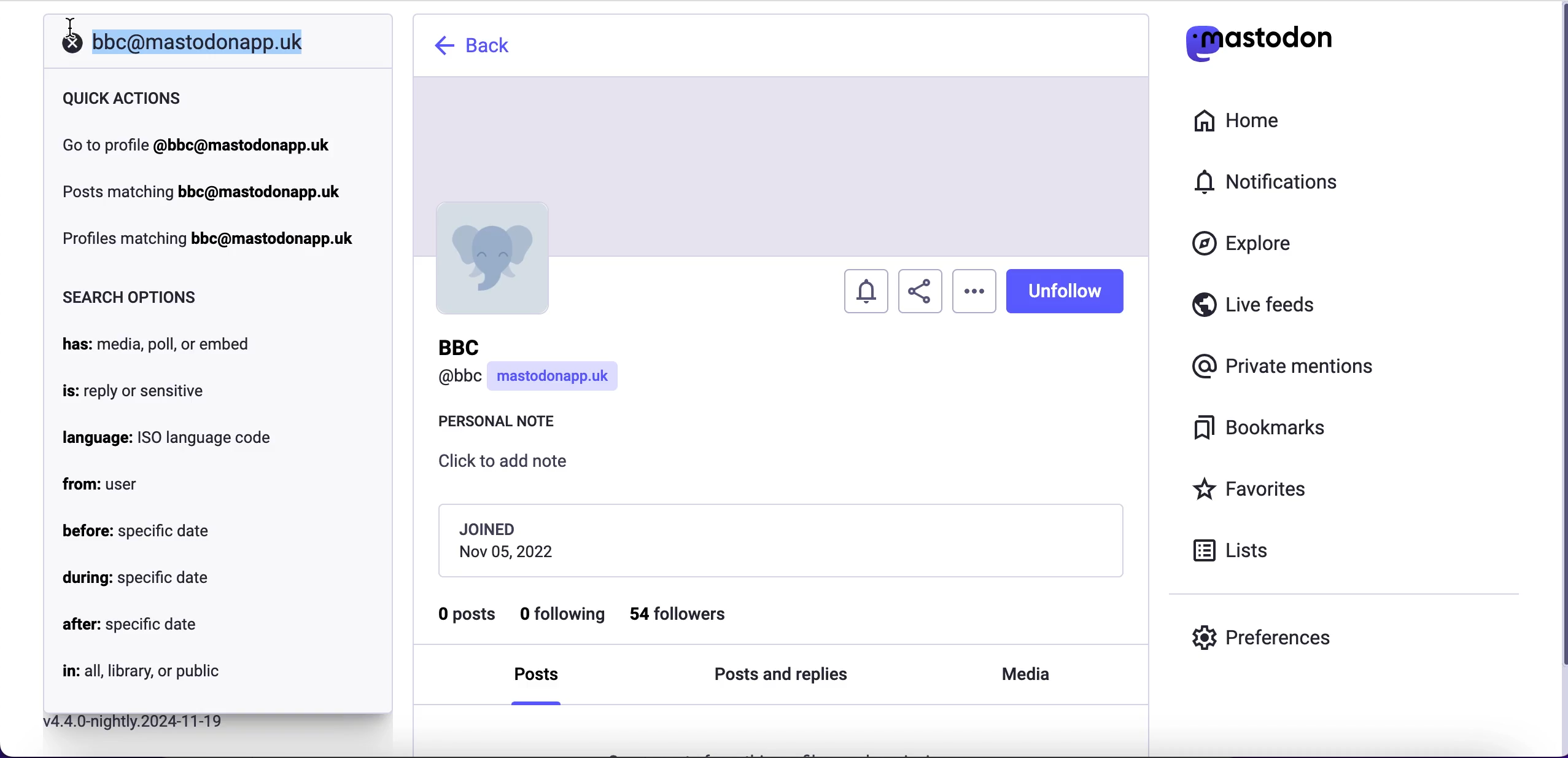 Image resolution: width=1568 pixels, height=758 pixels. Describe the element at coordinates (136, 530) in the screenshot. I see `before` at that location.